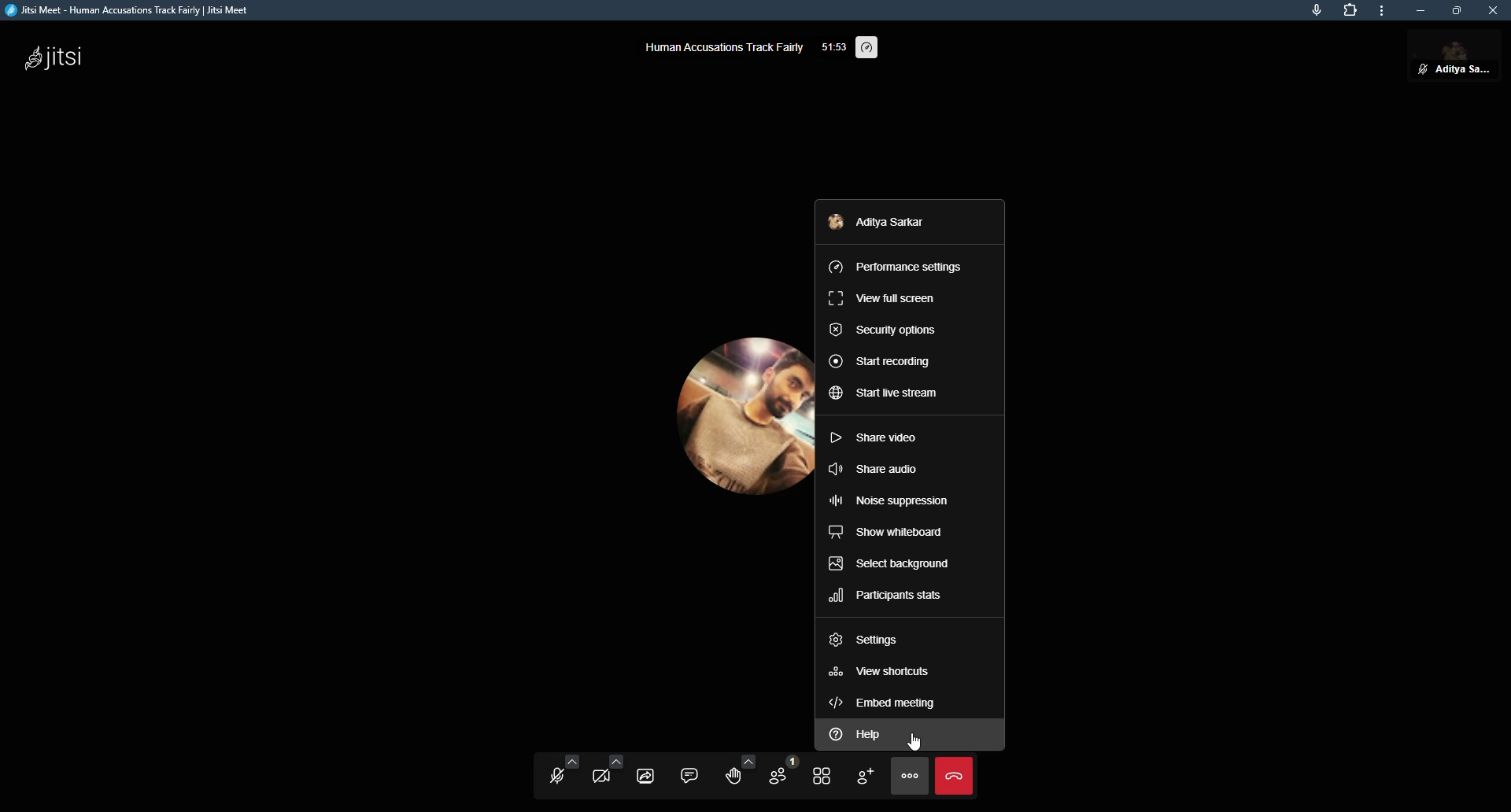  What do you see at coordinates (833, 47) in the screenshot?
I see `elapsed time` at bounding box center [833, 47].